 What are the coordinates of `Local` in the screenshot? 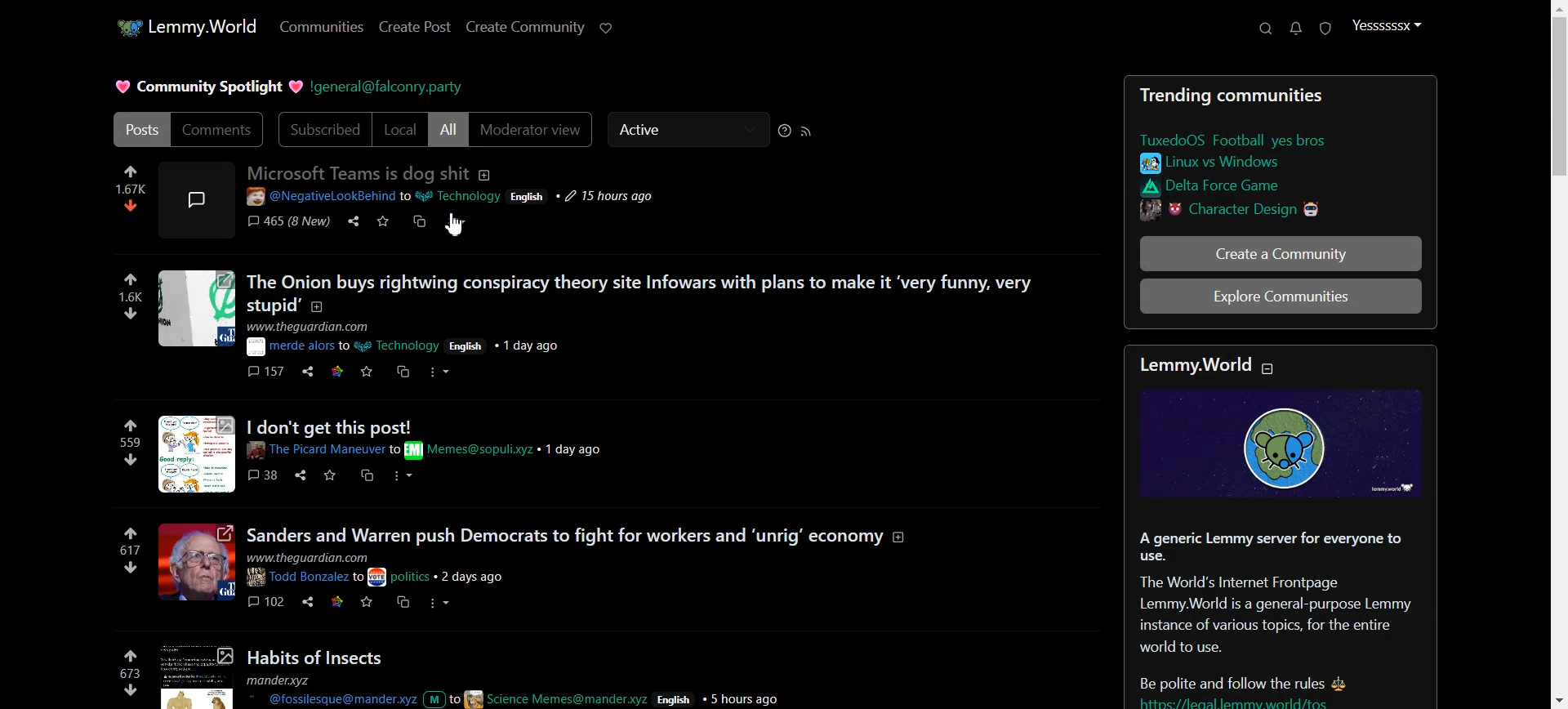 It's located at (400, 130).